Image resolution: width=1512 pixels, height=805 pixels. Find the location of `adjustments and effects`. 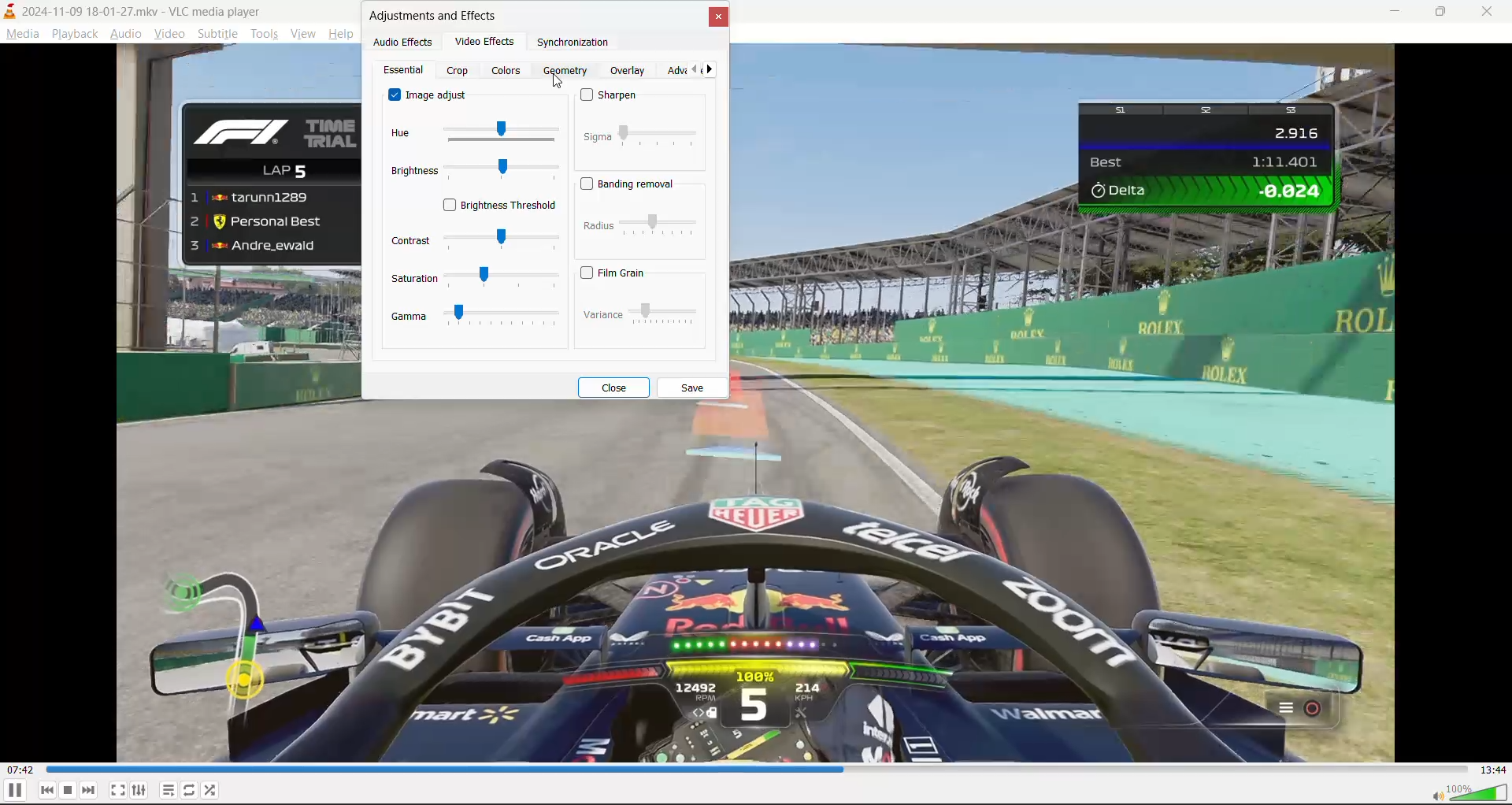

adjustments and effects is located at coordinates (436, 15).